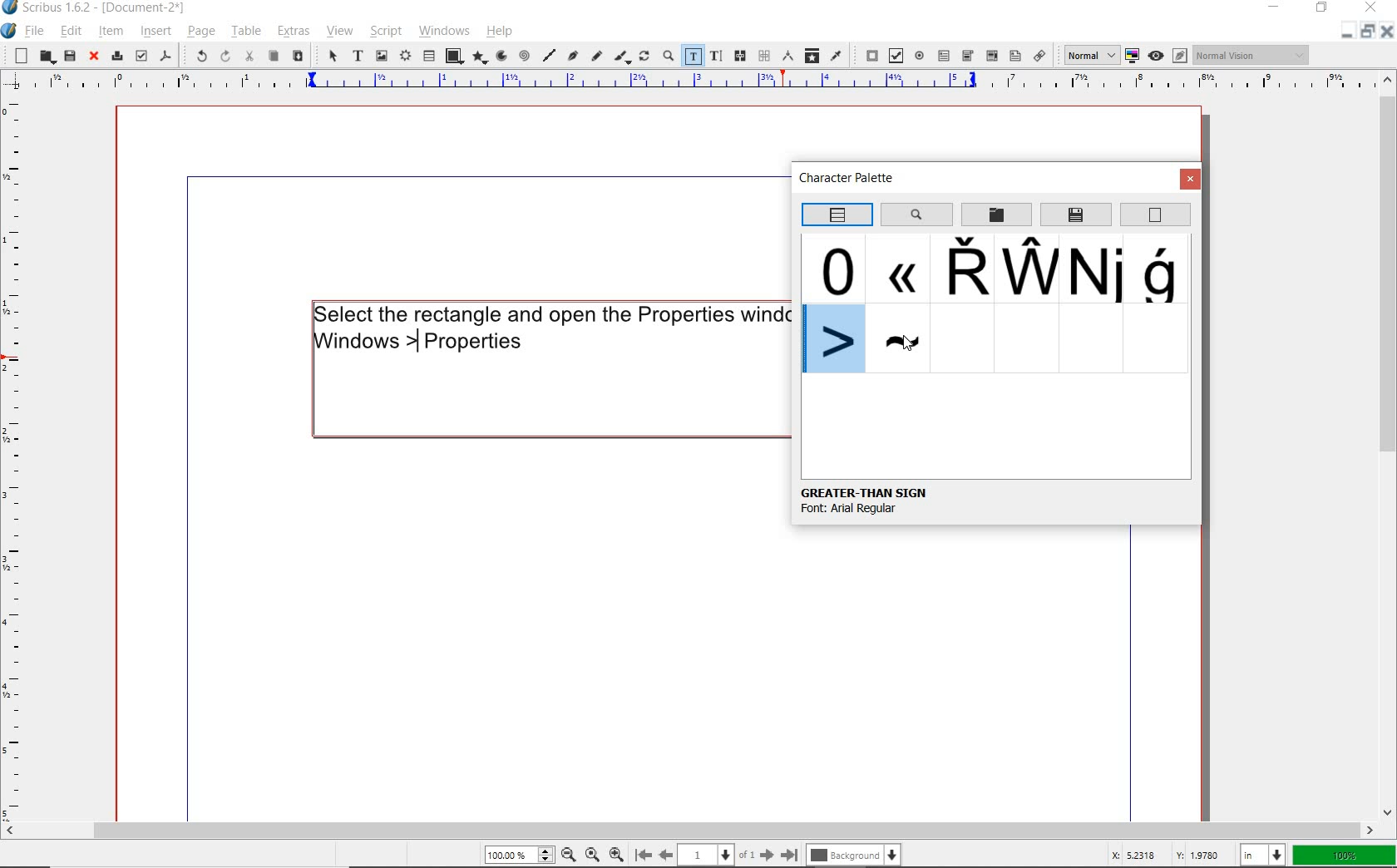 The width and height of the screenshot is (1397, 868). Describe the element at coordinates (996, 215) in the screenshot. I see `load a character palette` at that location.